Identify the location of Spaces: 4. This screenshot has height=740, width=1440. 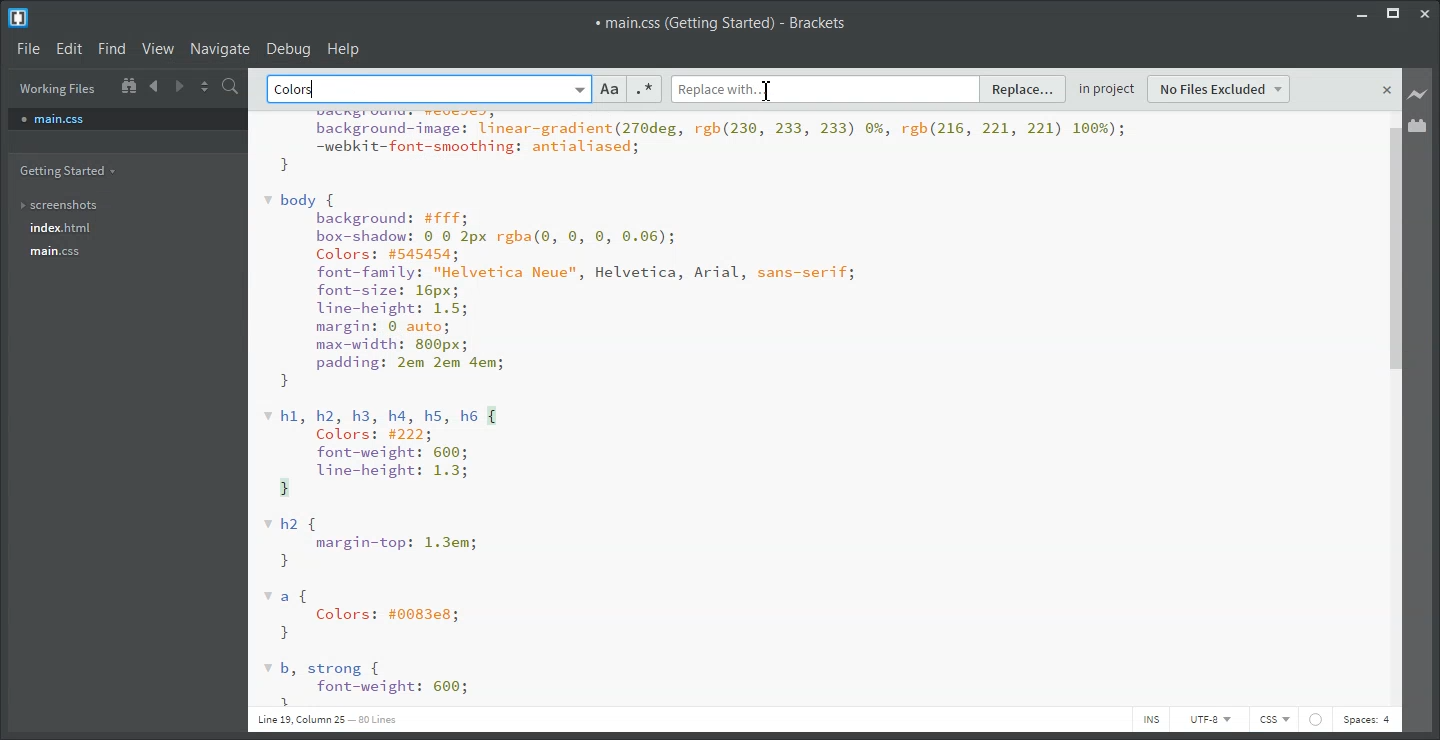
(1367, 721).